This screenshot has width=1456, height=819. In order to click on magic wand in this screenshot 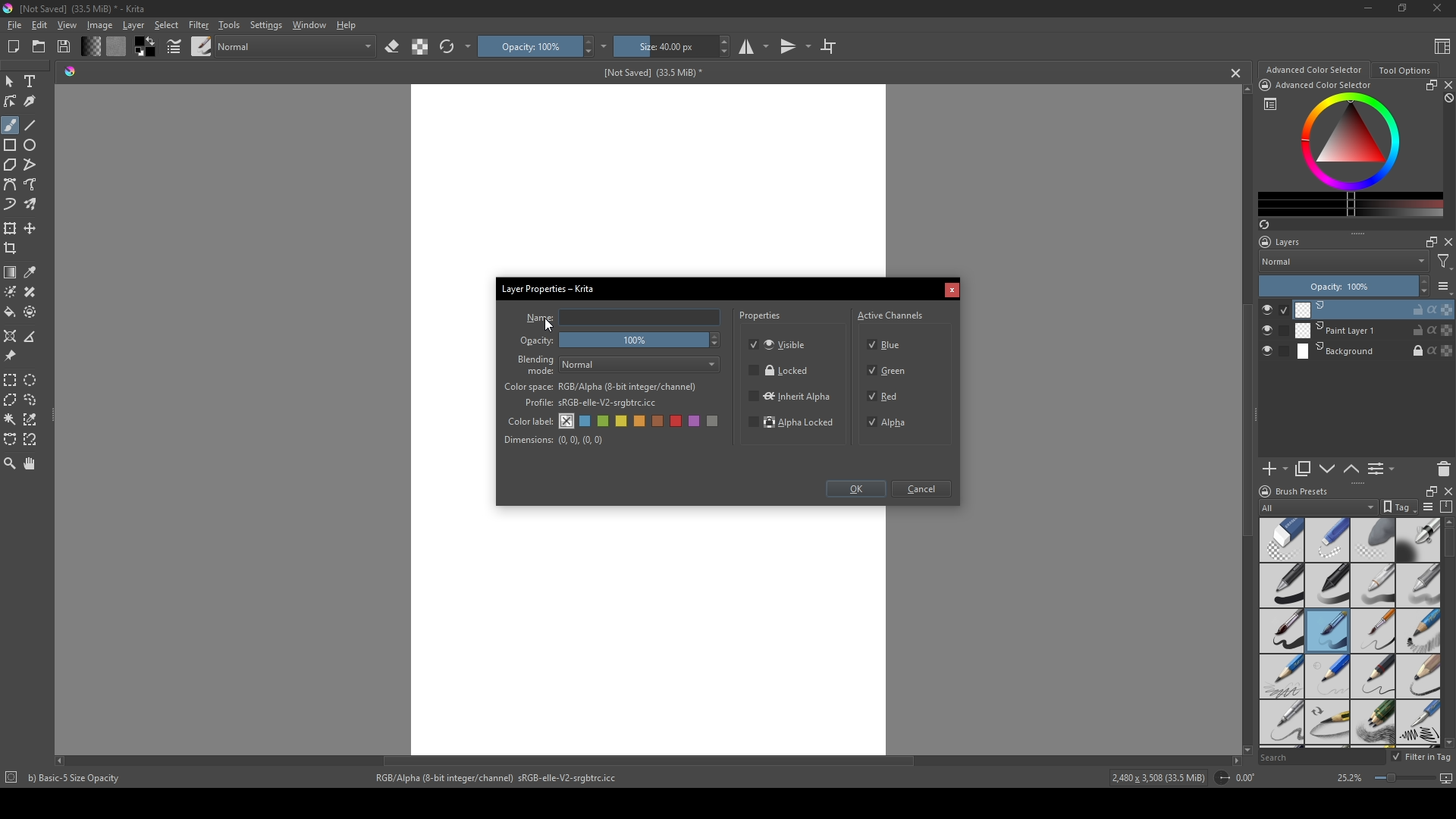, I will do `click(10, 419)`.